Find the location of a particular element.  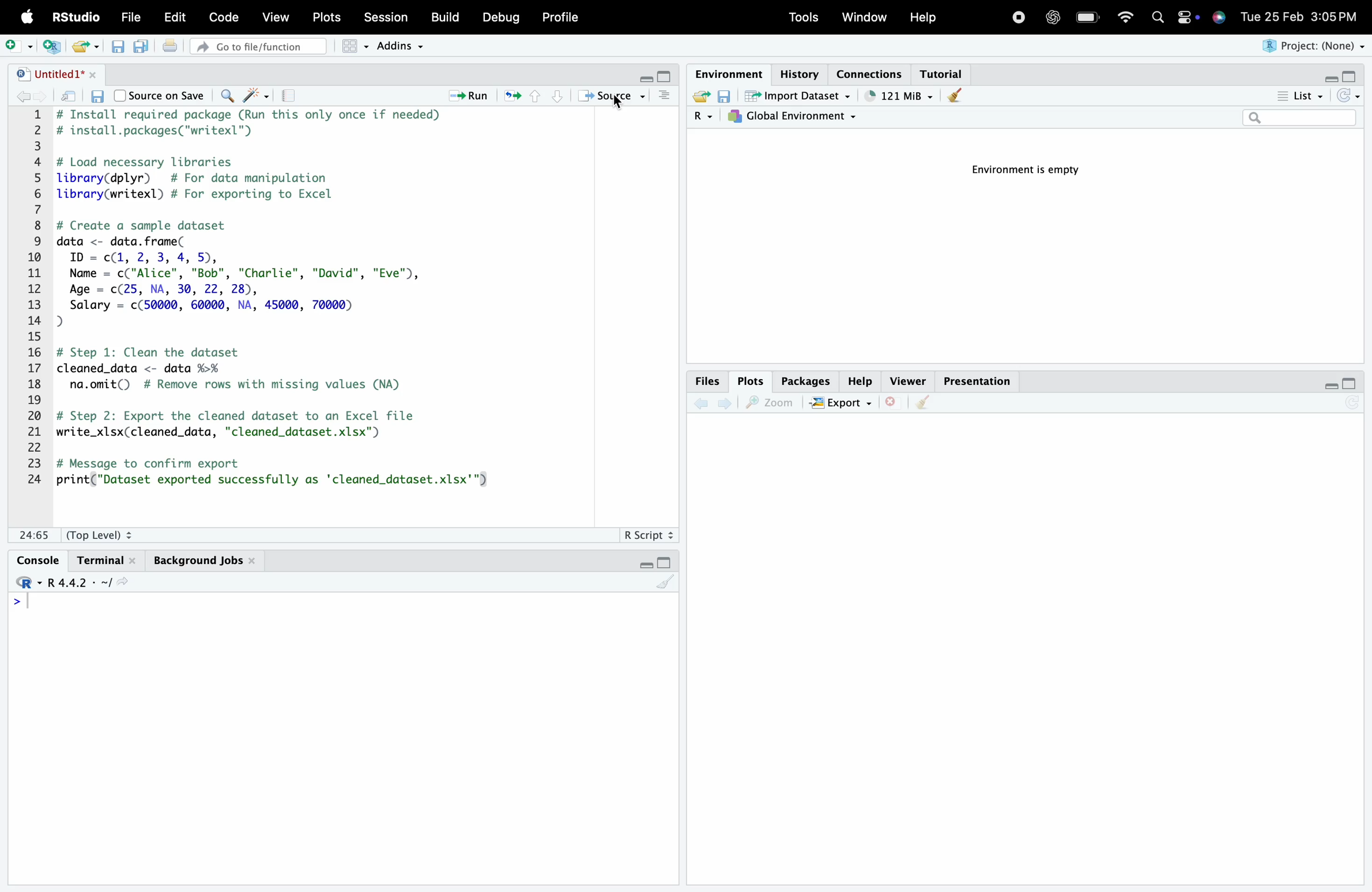

121kib used by R session (Source: Windows System) is located at coordinates (897, 95).